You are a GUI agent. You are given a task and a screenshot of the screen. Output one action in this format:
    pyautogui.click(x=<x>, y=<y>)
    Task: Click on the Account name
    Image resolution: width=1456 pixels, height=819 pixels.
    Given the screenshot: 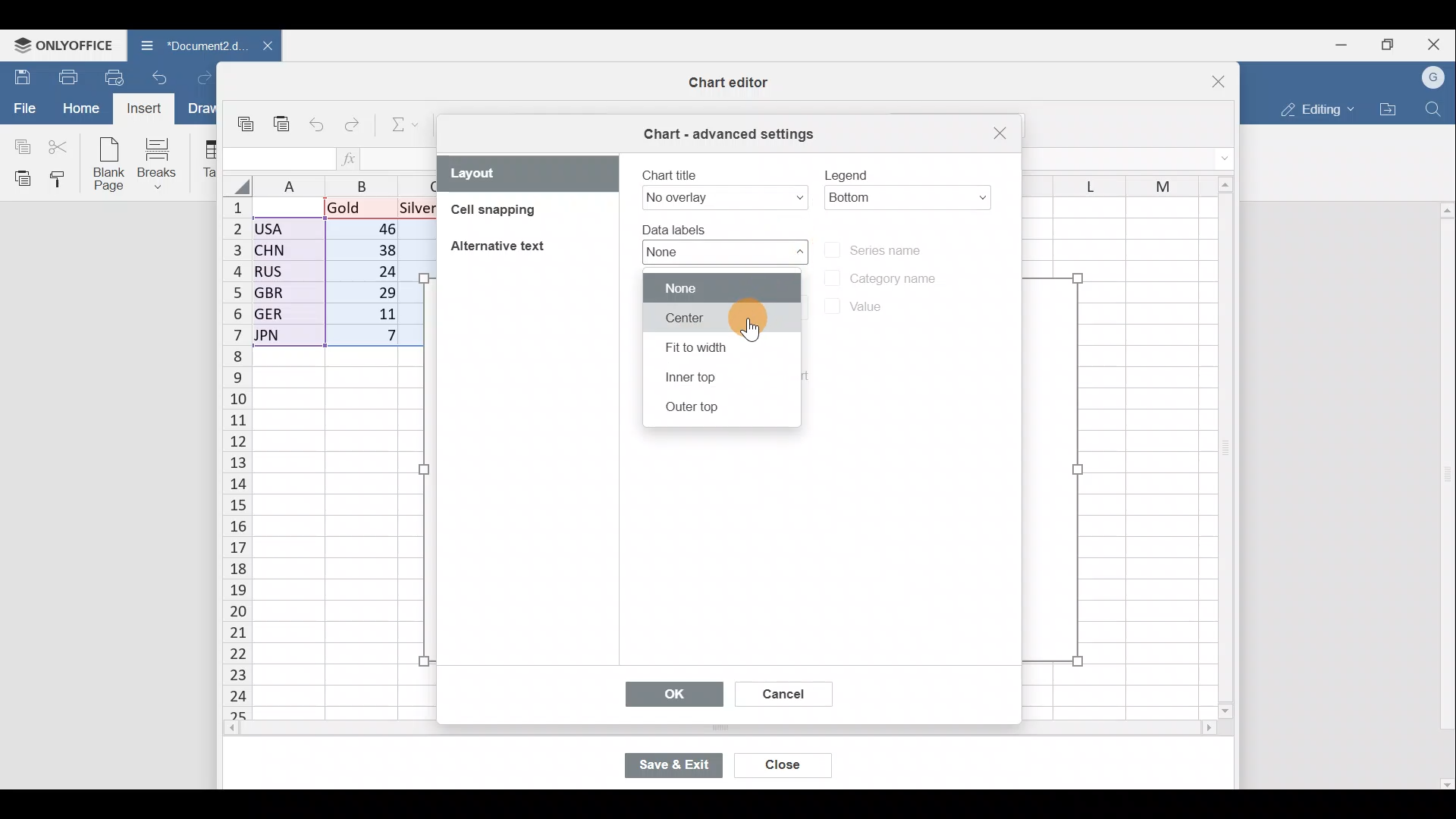 What is the action you would take?
    pyautogui.click(x=1434, y=78)
    